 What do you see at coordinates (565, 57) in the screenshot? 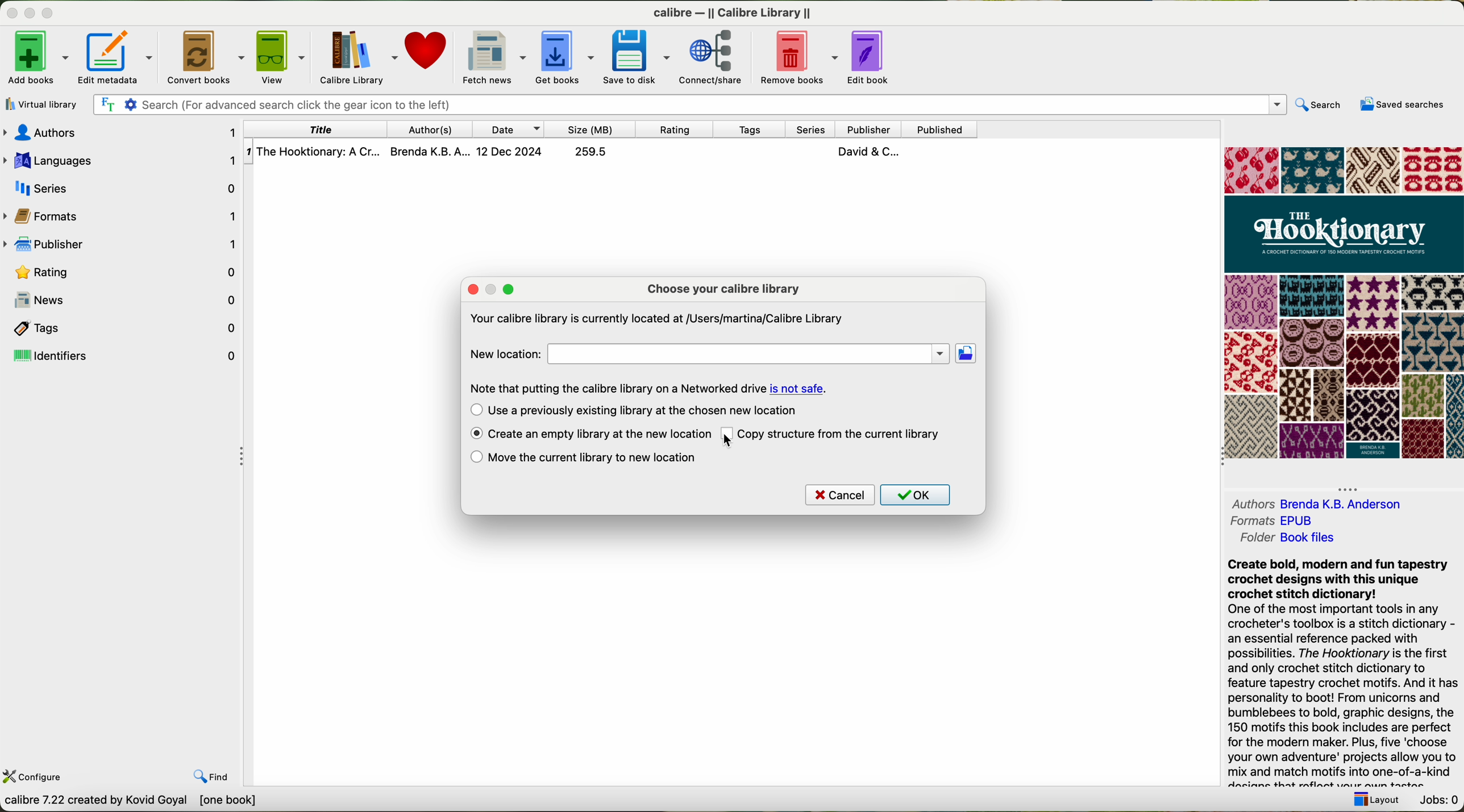
I see `get books` at bounding box center [565, 57].